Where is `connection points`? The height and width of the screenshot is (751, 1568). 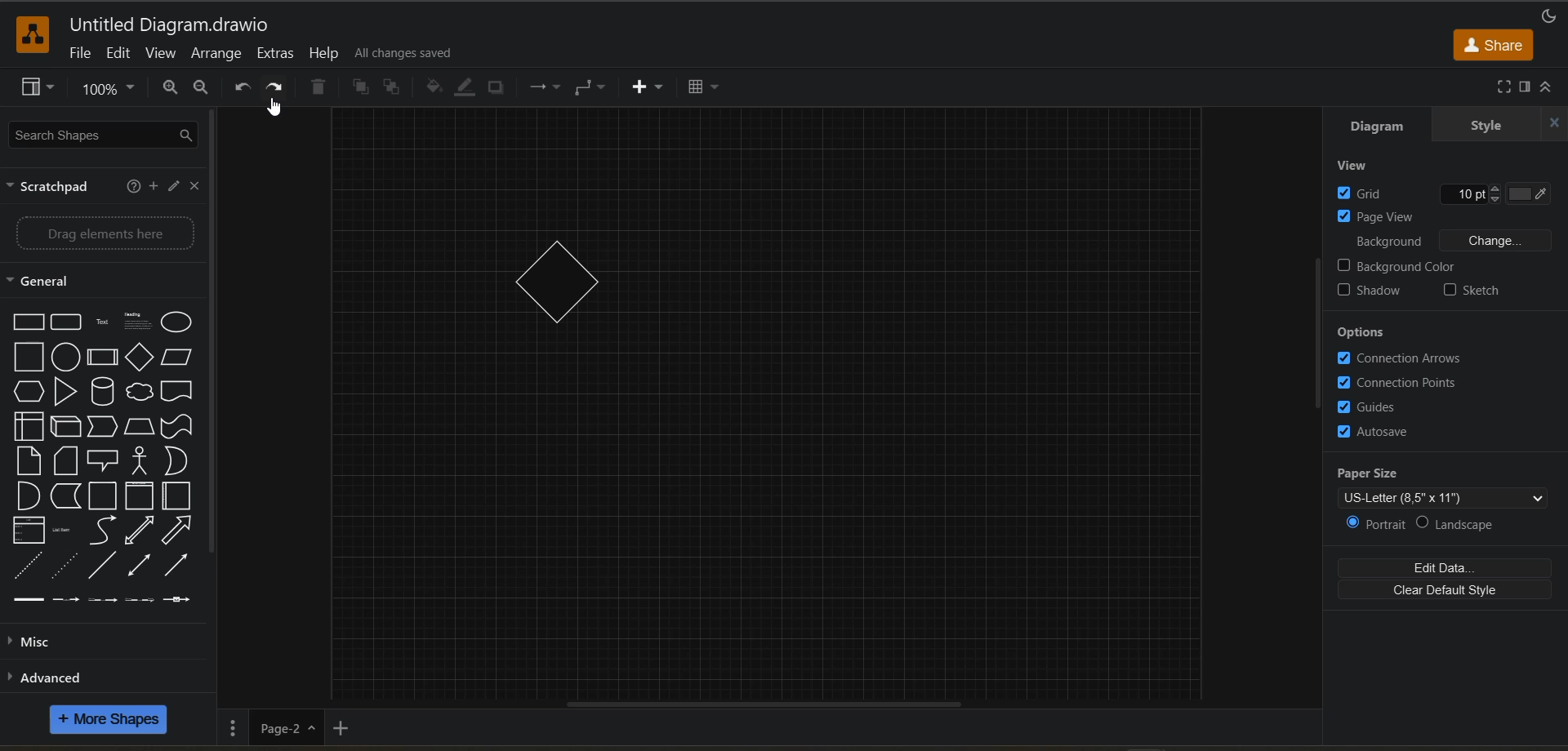
connection points is located at coordinates (1397, 384).